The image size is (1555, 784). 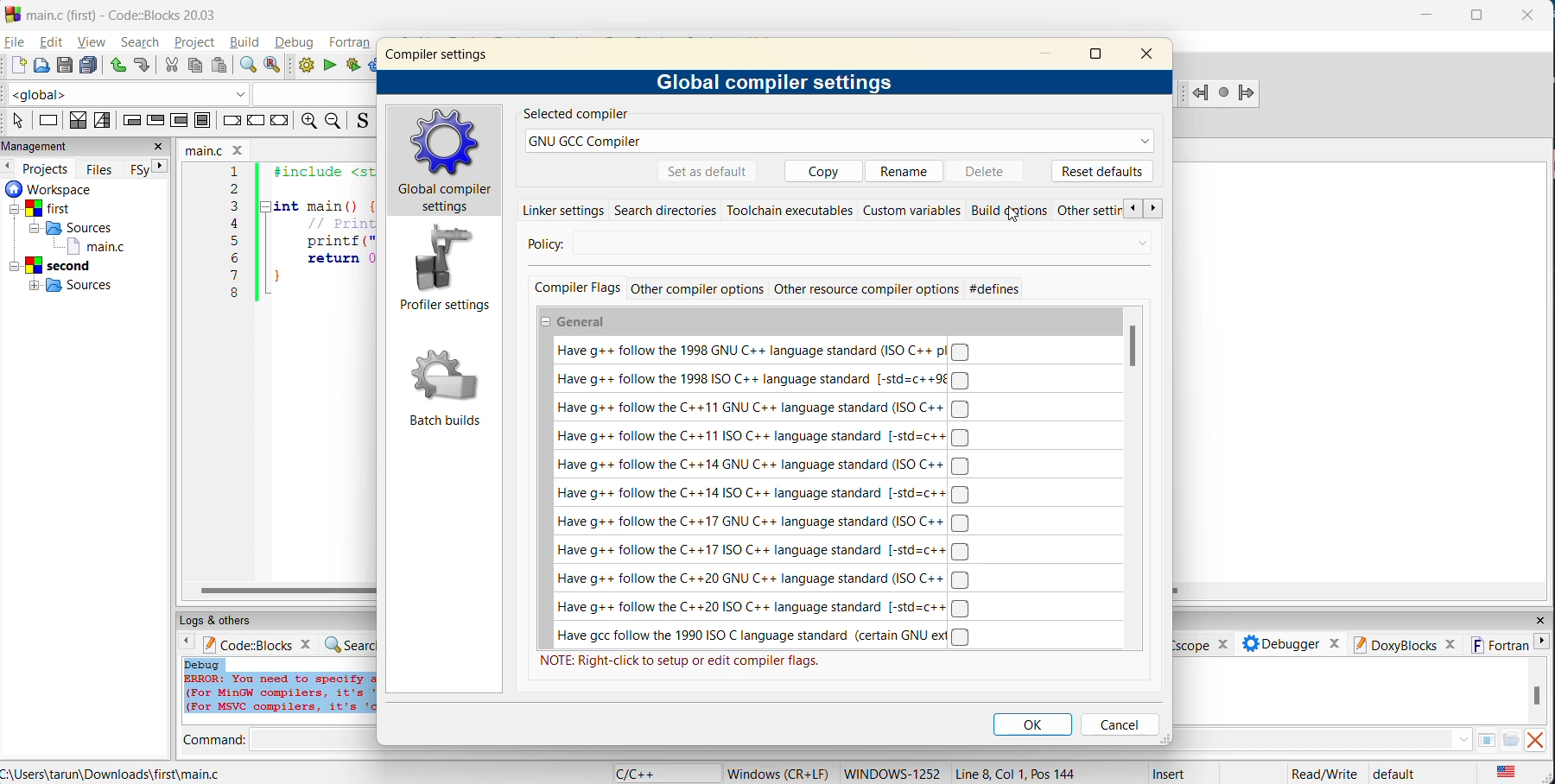 I want to click on edit, so click(x=52, y=42).